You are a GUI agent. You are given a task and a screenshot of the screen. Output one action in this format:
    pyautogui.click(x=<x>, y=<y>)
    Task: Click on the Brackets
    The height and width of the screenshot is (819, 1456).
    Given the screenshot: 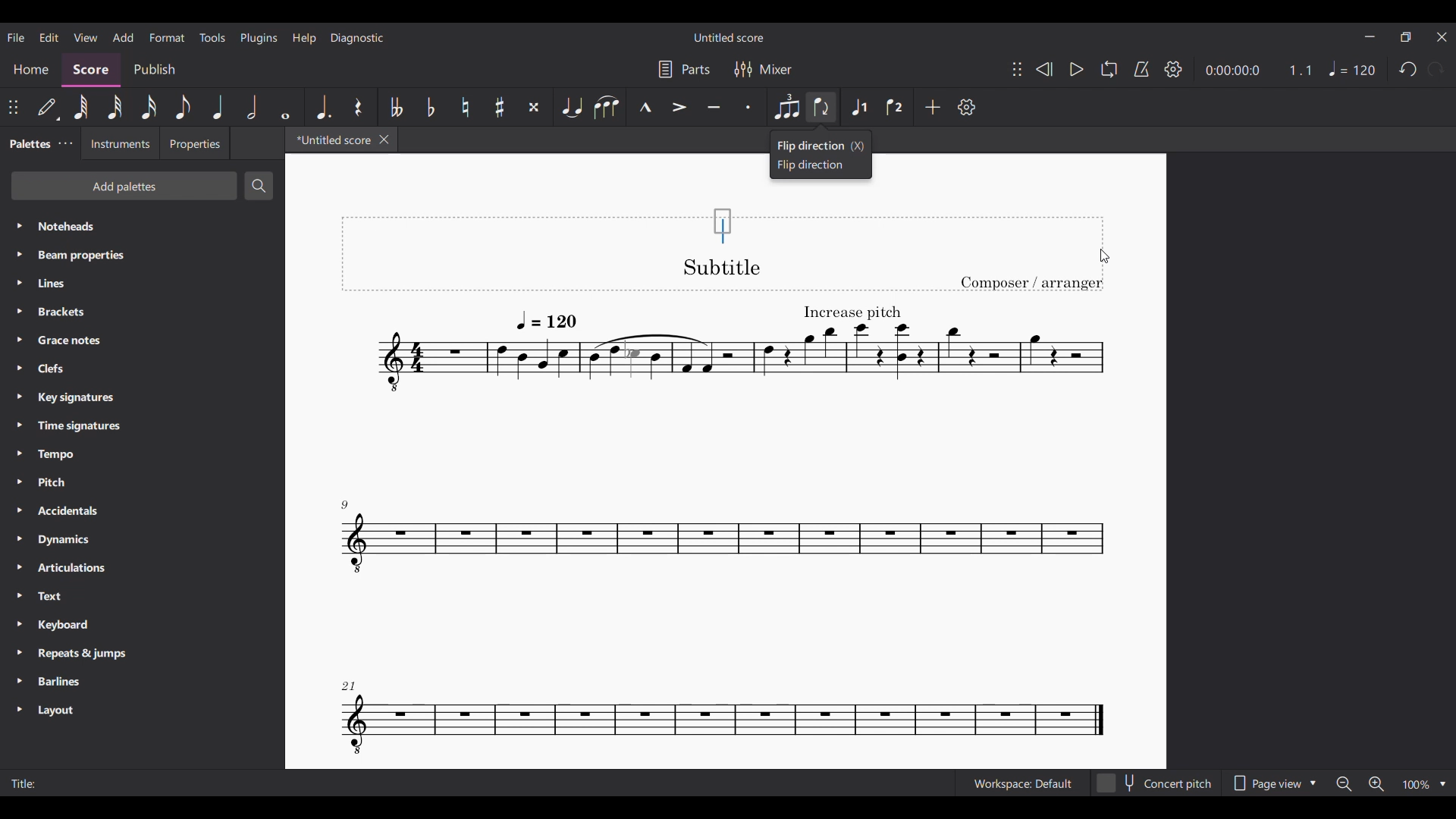 What is the action you would take?
    pyautogui.click(x=143, y=312)
    